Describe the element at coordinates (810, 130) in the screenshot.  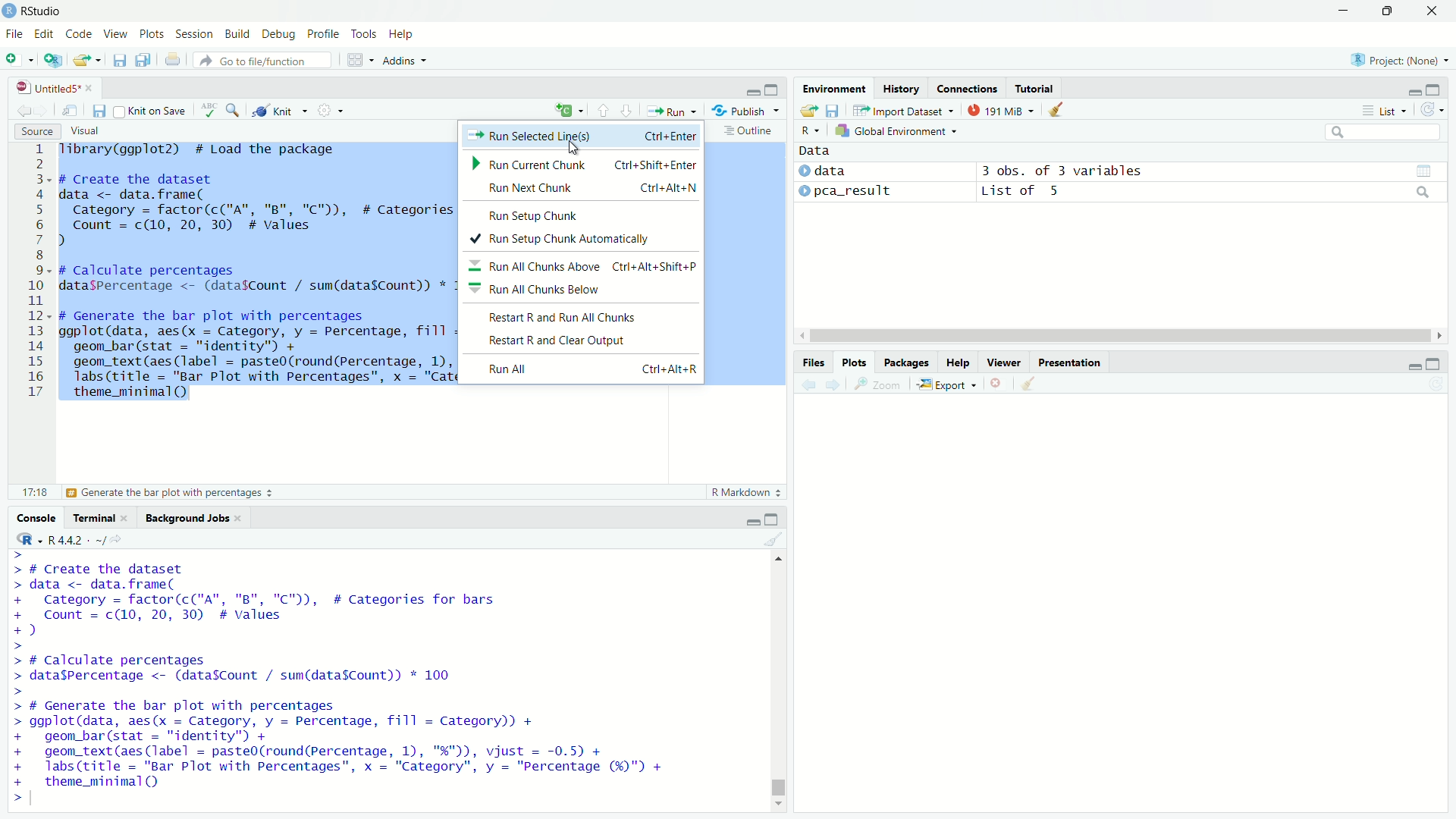
I see `R language` at that location.